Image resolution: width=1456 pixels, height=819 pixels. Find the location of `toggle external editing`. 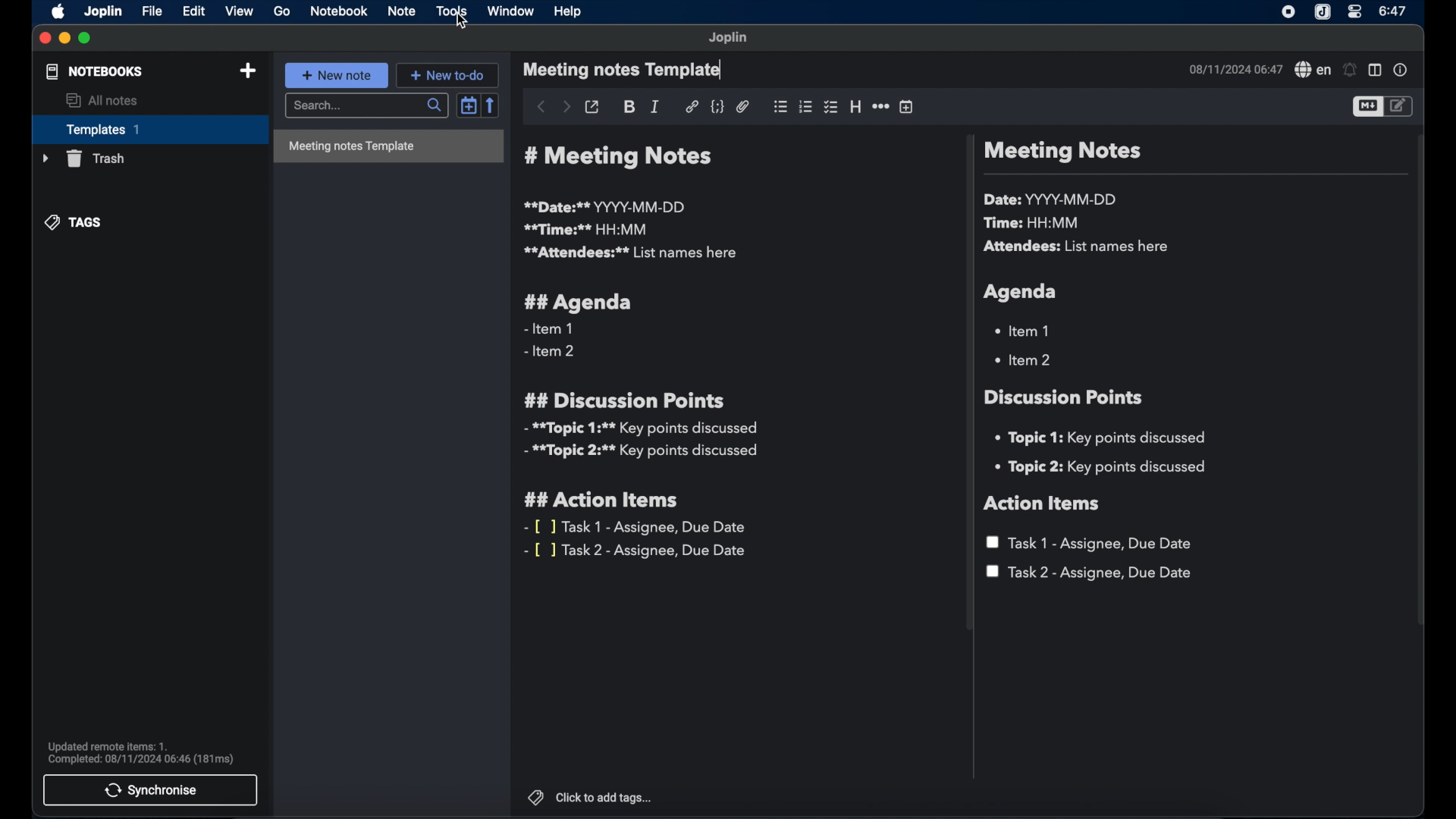

toggle external editing is located at coordinates (591, 106).